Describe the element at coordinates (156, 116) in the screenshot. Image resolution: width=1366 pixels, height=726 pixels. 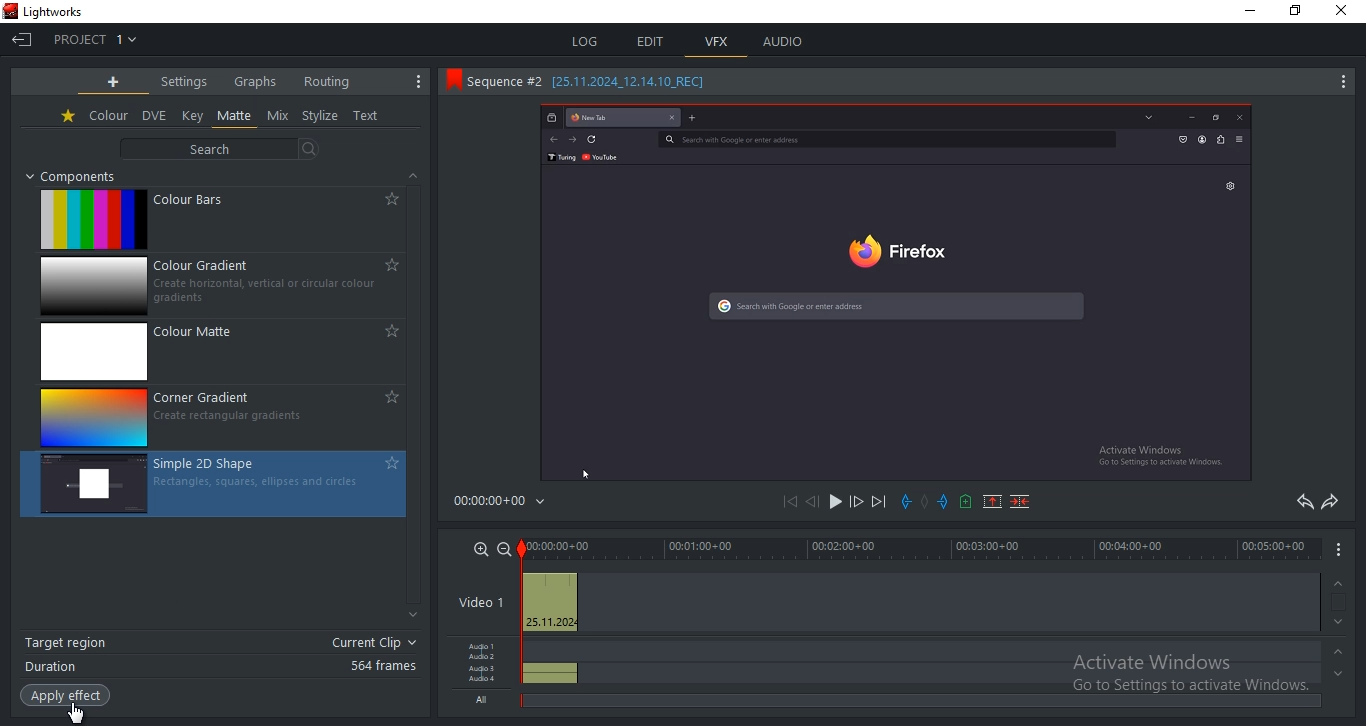
I see `dve` at that location.